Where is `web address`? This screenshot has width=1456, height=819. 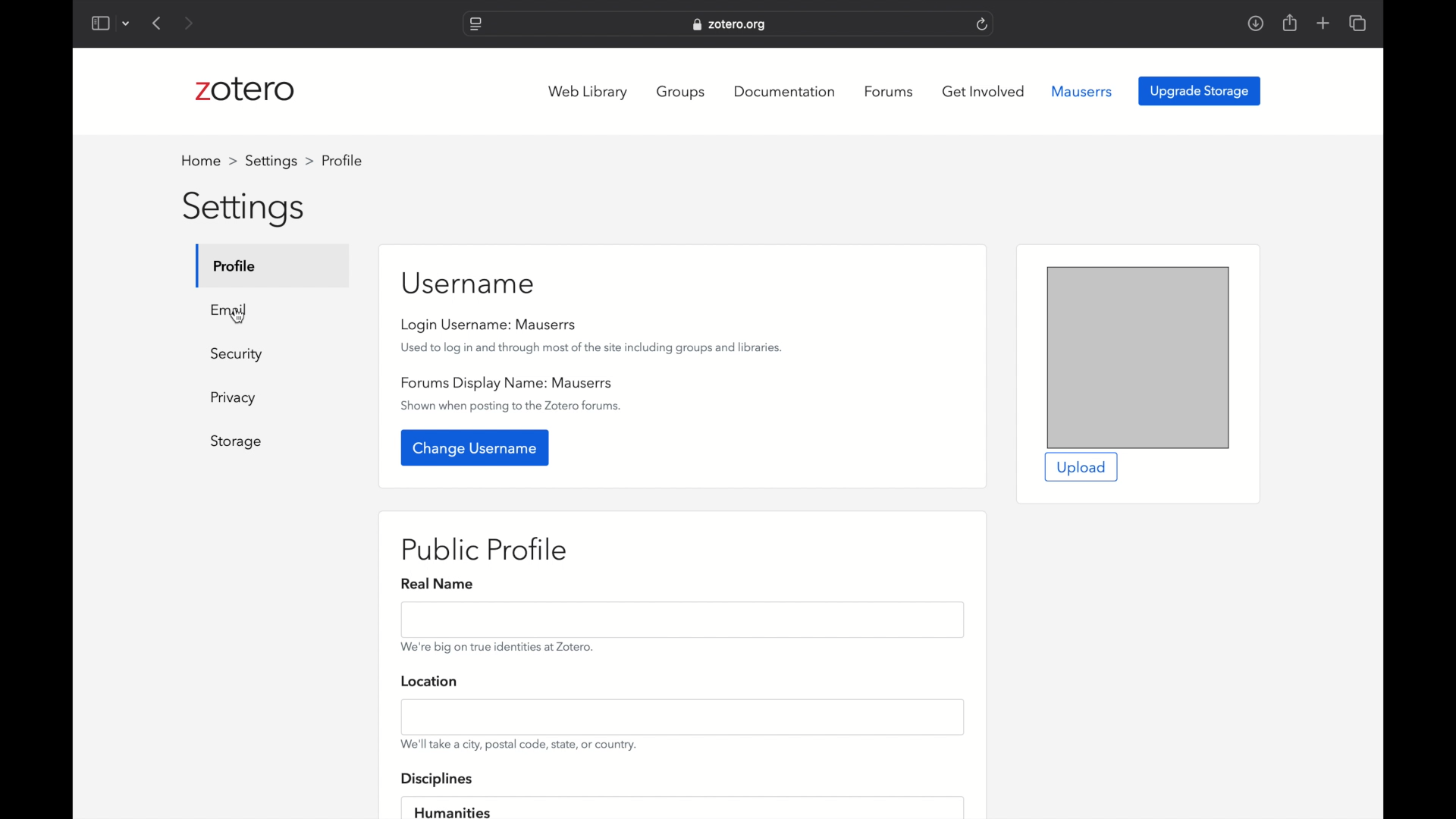 web address is located at coordinates (731, 26).